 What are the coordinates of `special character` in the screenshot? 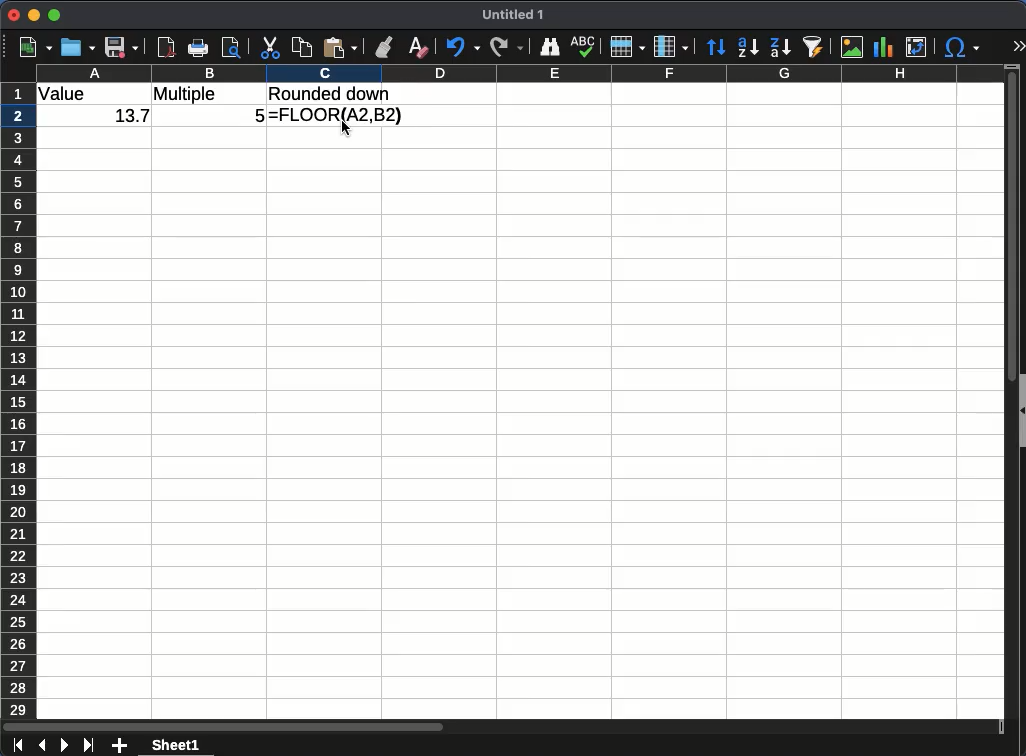 It's located at (962, 47).